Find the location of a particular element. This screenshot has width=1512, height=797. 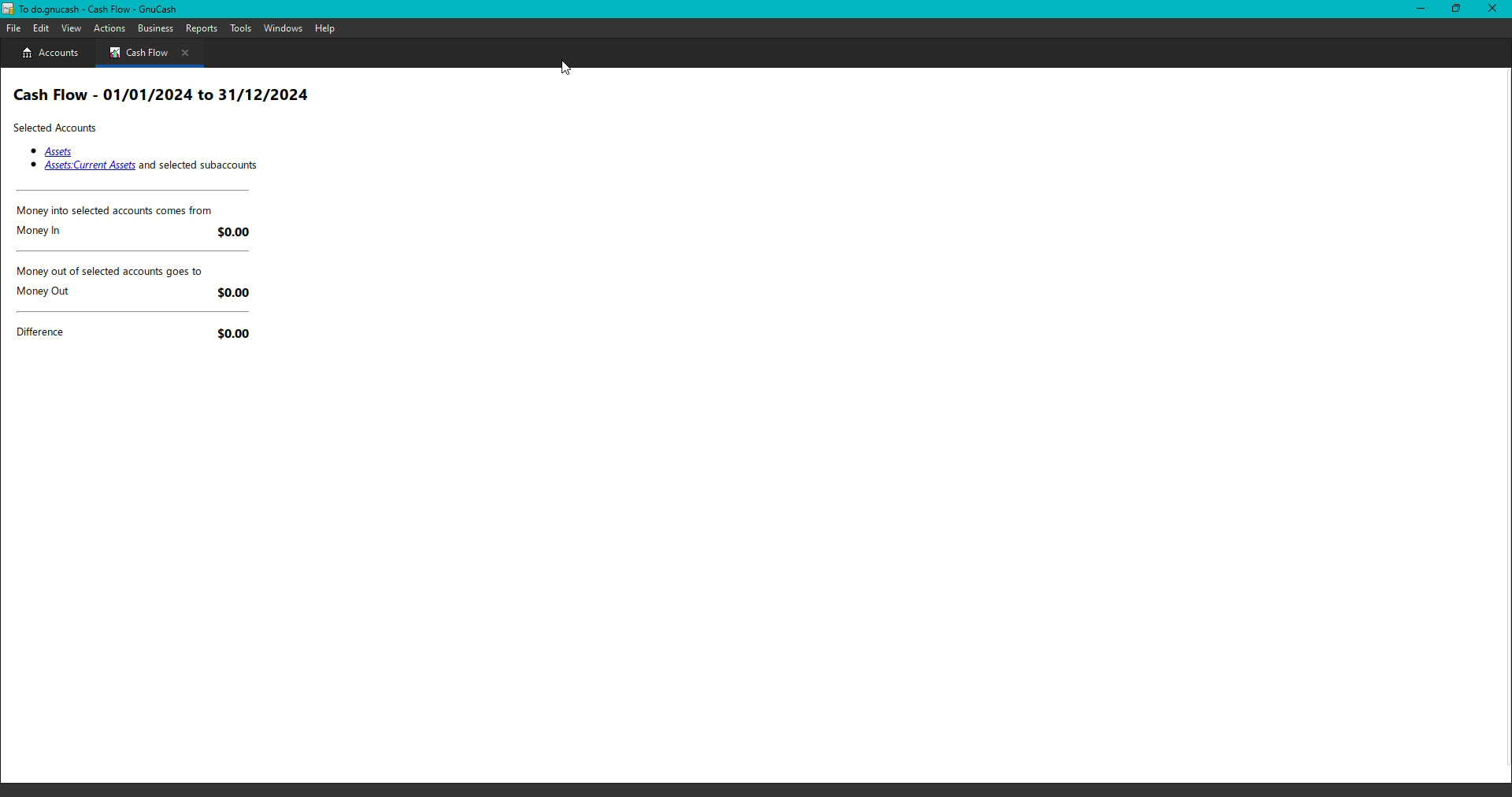

Edit is located at coordinates (41, 28).